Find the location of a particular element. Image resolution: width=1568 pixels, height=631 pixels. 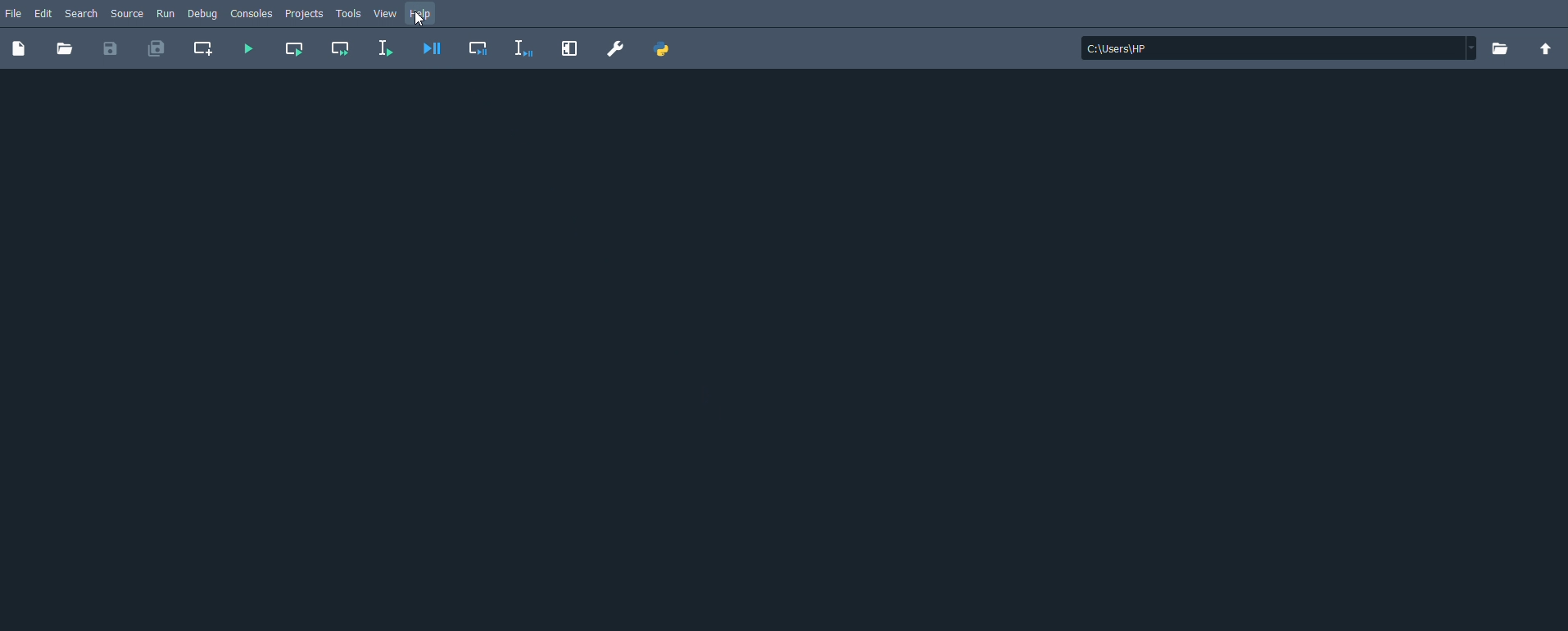

Cursor is located at coordinates (421, 20).